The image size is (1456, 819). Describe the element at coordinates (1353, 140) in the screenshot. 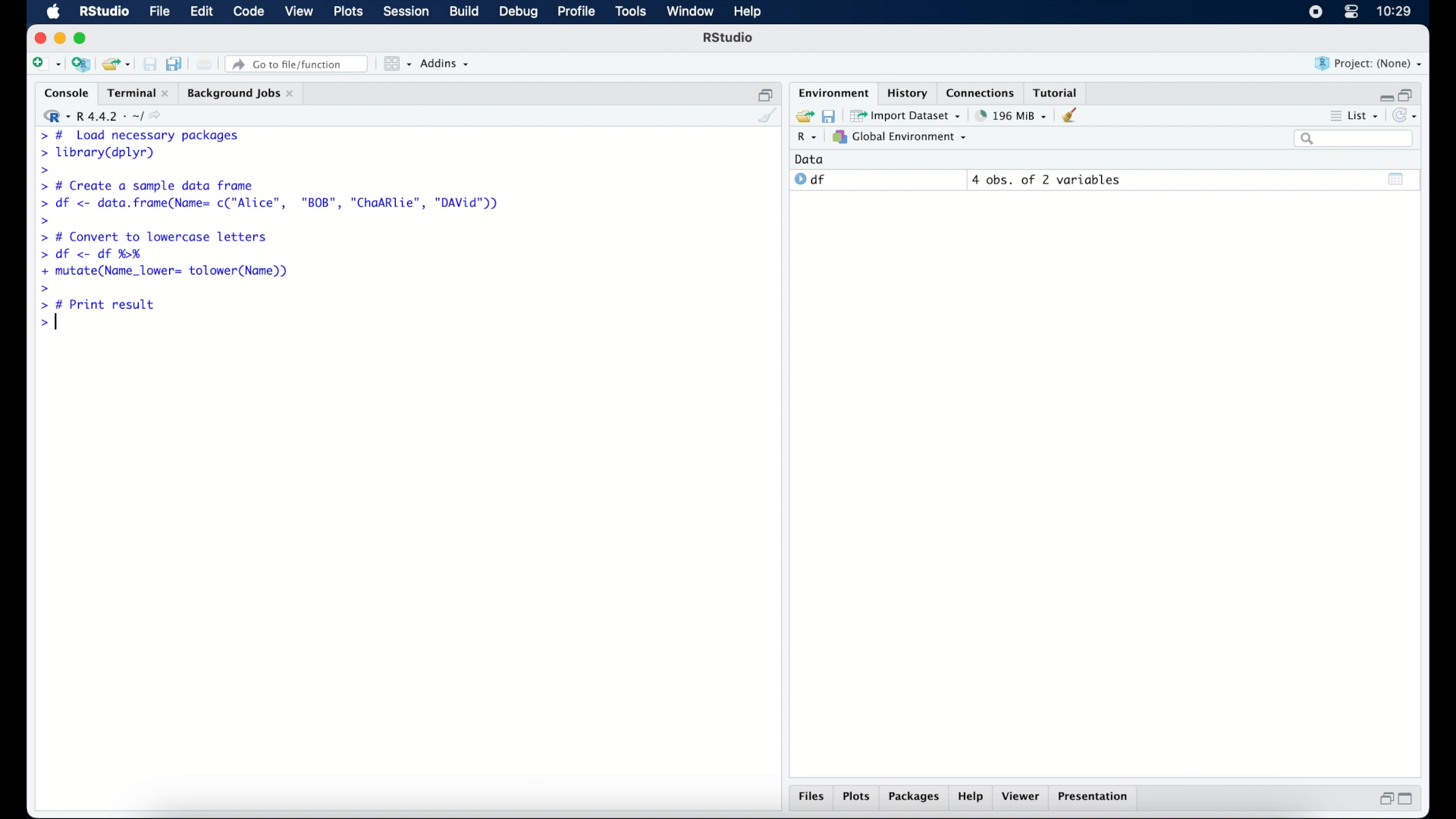

I see `search bar` at that location.